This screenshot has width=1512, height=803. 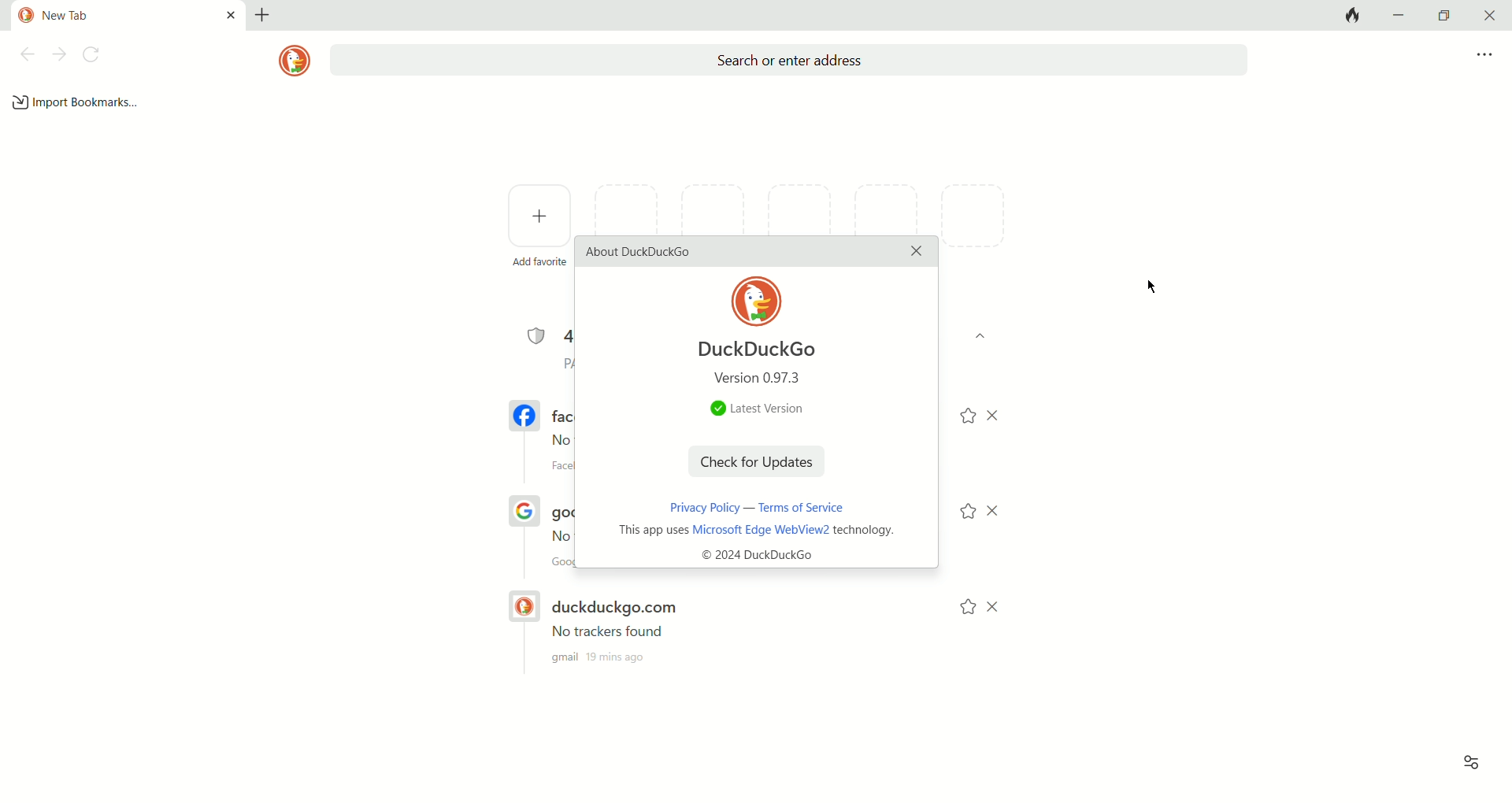 What do you see at coordinates (965, 419) in the screenshot?
I see `add to favorites` at bounding box center [965, 419].